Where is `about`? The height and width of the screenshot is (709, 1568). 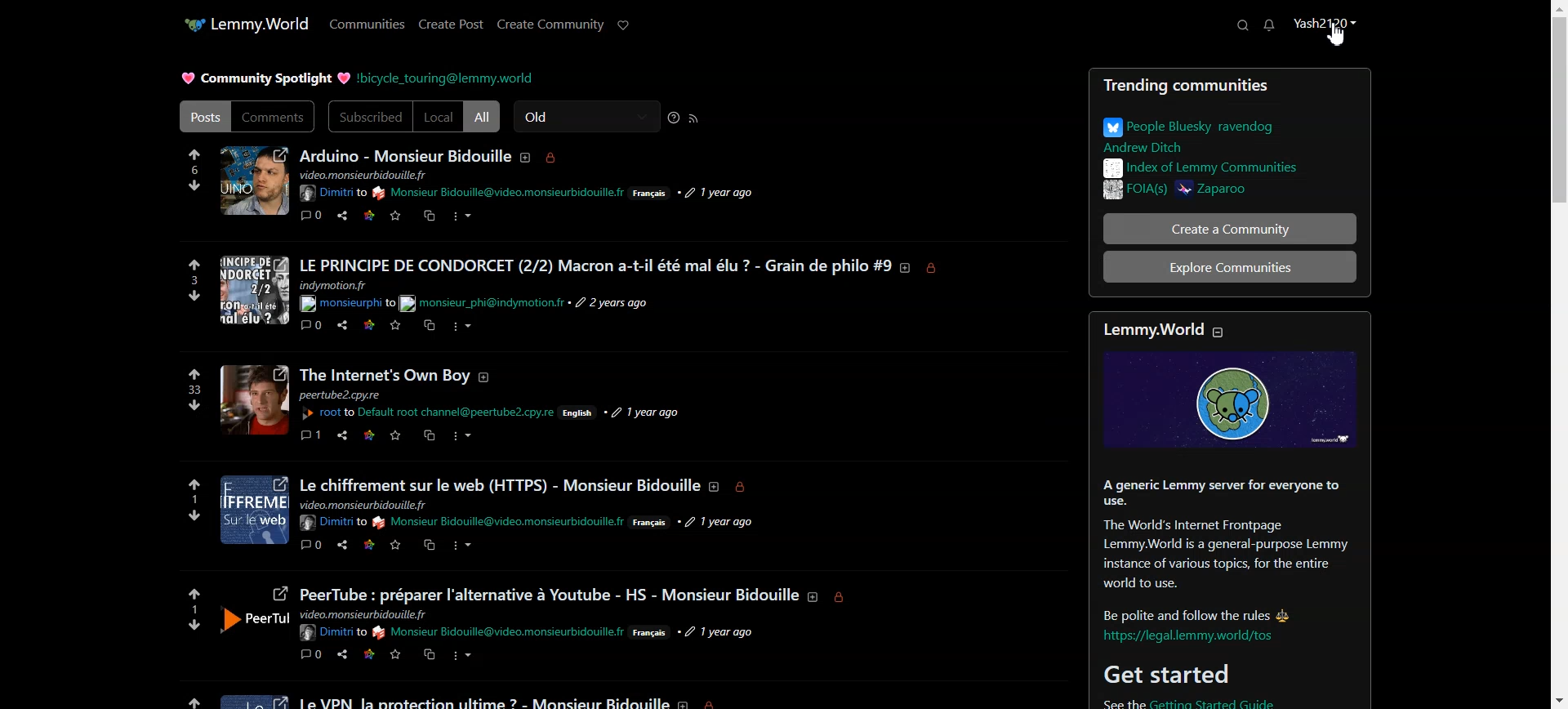
about is located at coordinates (686, 702).